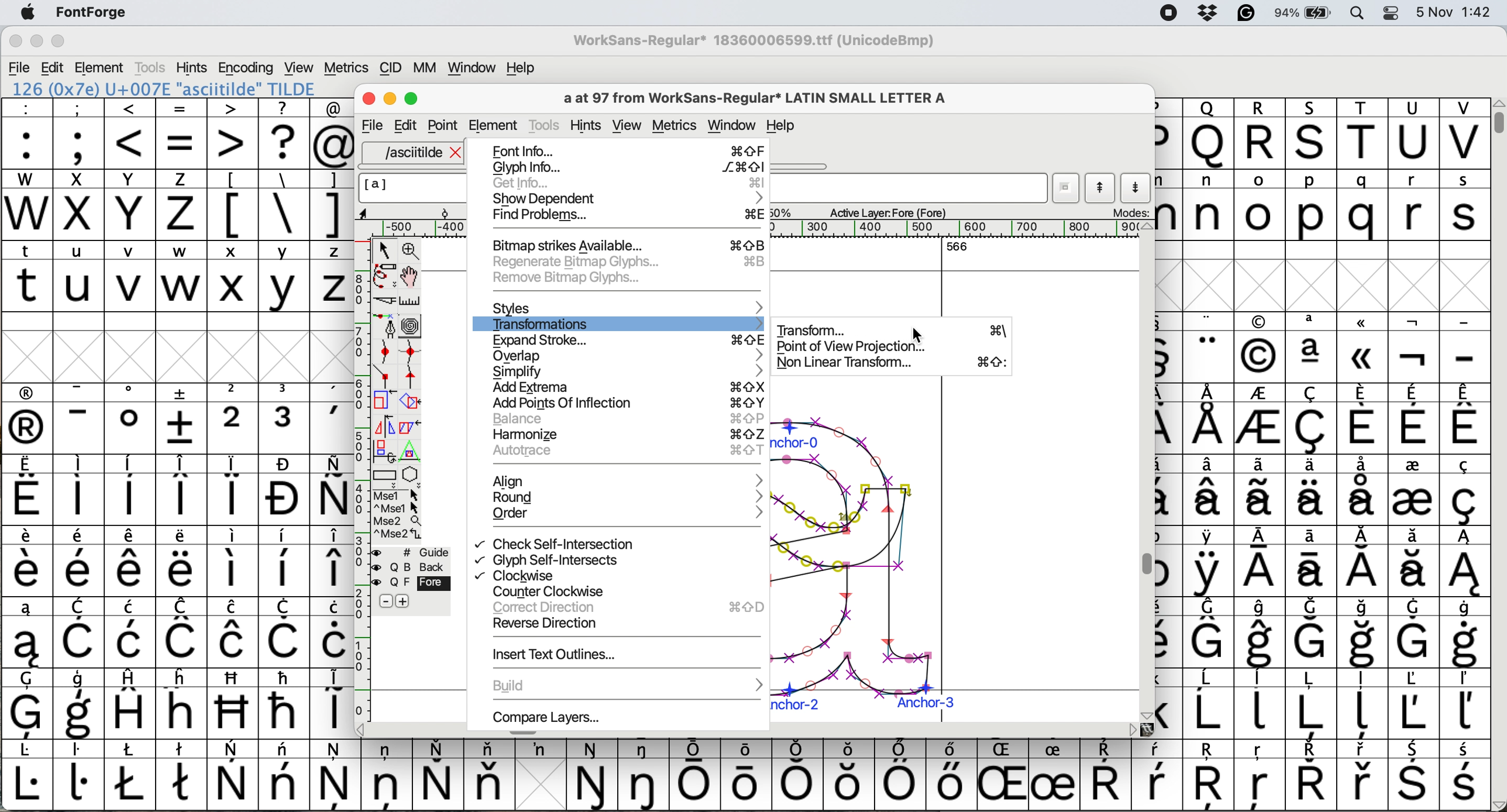 The width and height of the screenshot is (1507, 812). Describe the element at coordinates (839, 447) in the screenshot. I see `a glyph` at that location.